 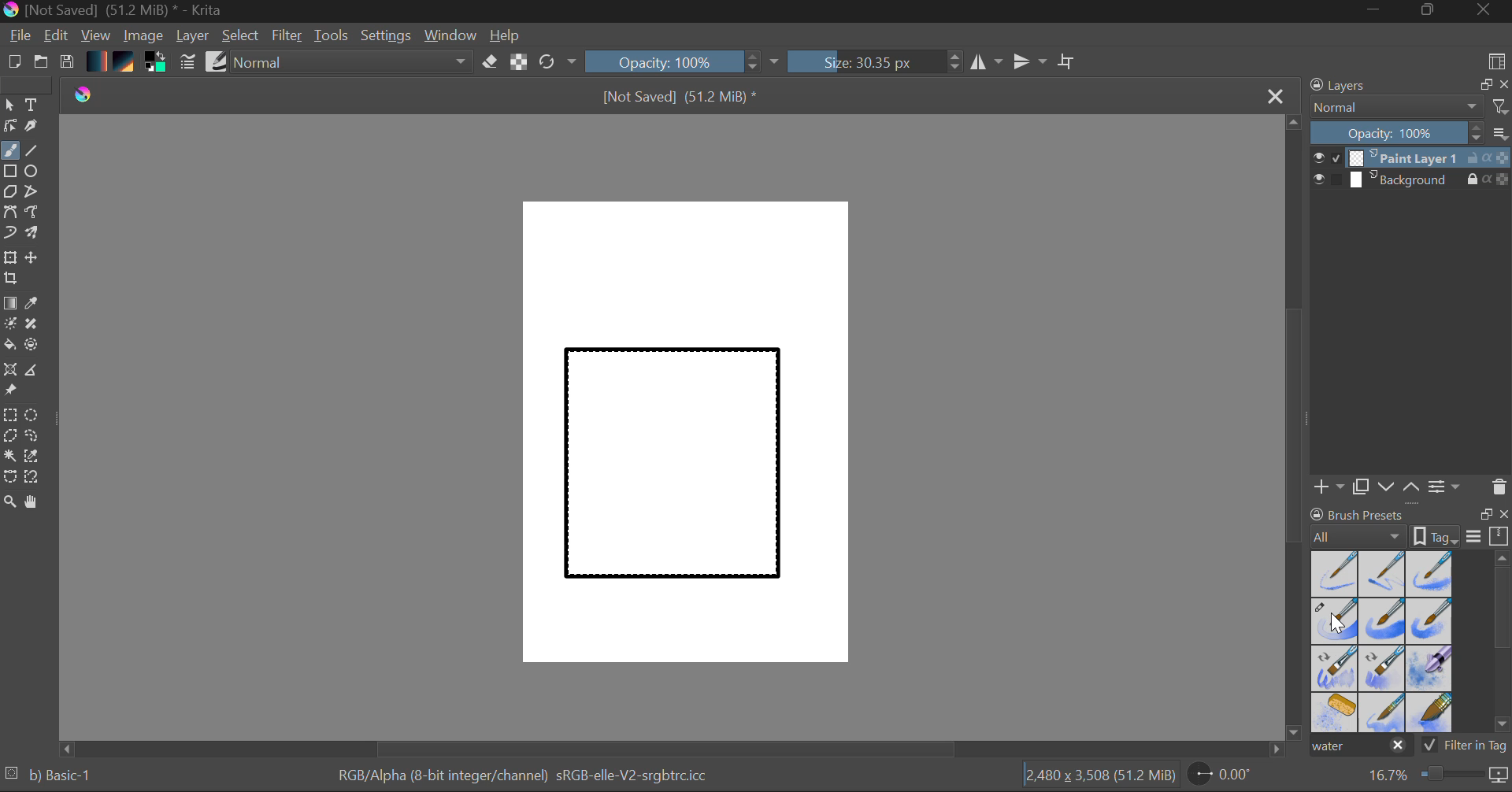 What do you see at coordinates (34, 172) in the screenshot?
I see `Elipses` at bounding box center [34, 172].